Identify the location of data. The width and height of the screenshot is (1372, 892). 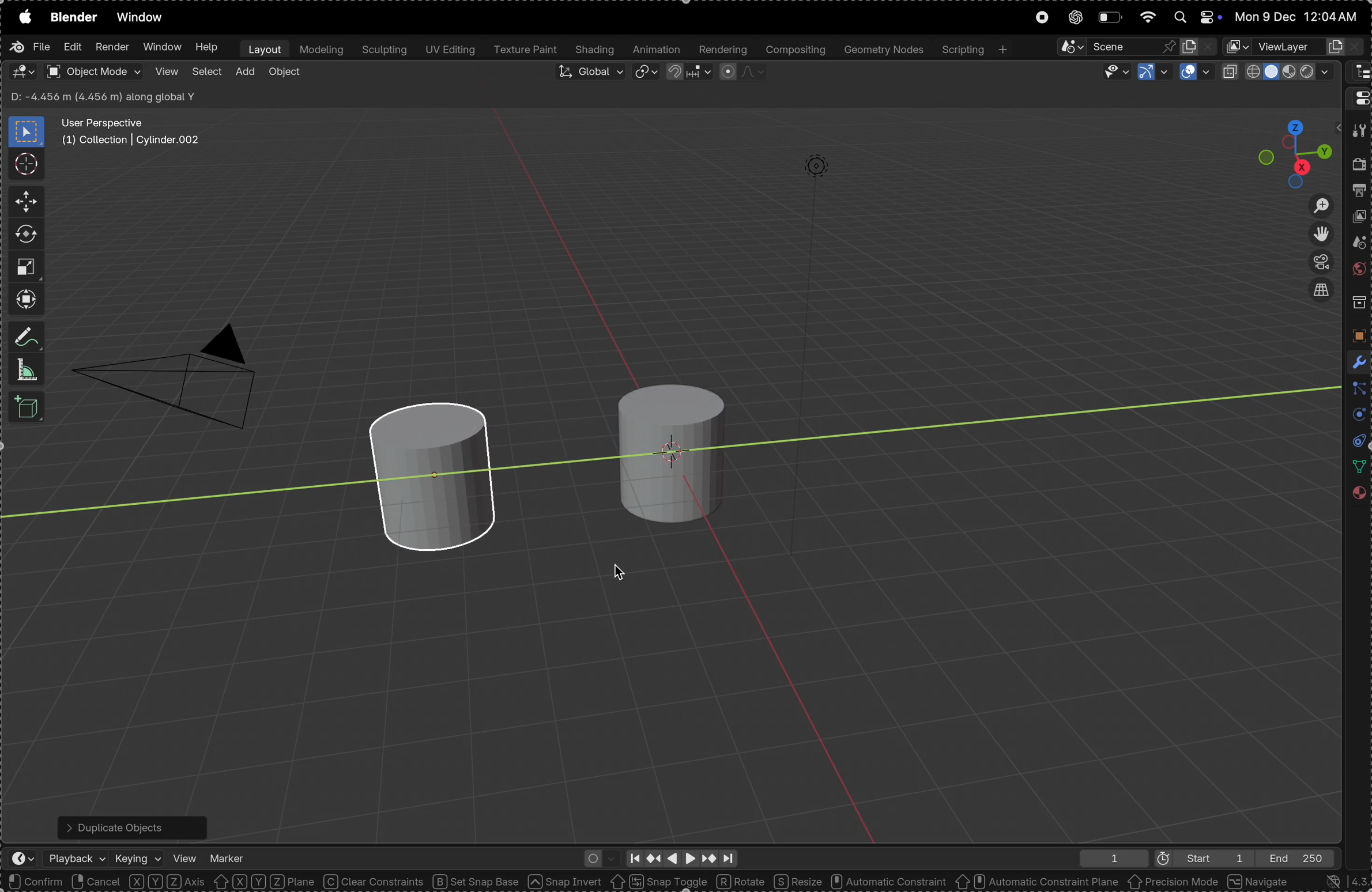
(1356, 467).